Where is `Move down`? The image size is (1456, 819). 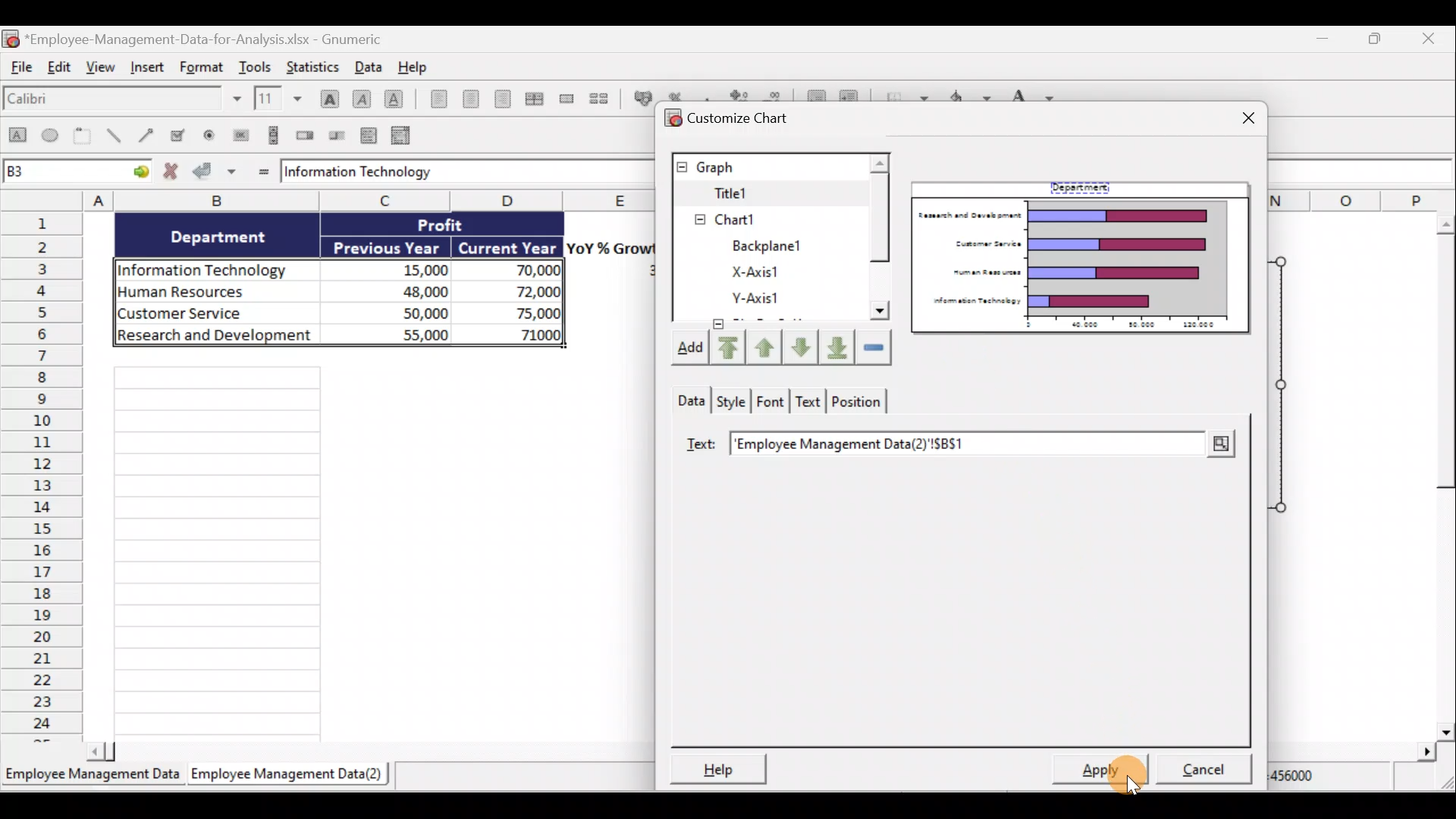 Move down is located at coordinates (802, 346).